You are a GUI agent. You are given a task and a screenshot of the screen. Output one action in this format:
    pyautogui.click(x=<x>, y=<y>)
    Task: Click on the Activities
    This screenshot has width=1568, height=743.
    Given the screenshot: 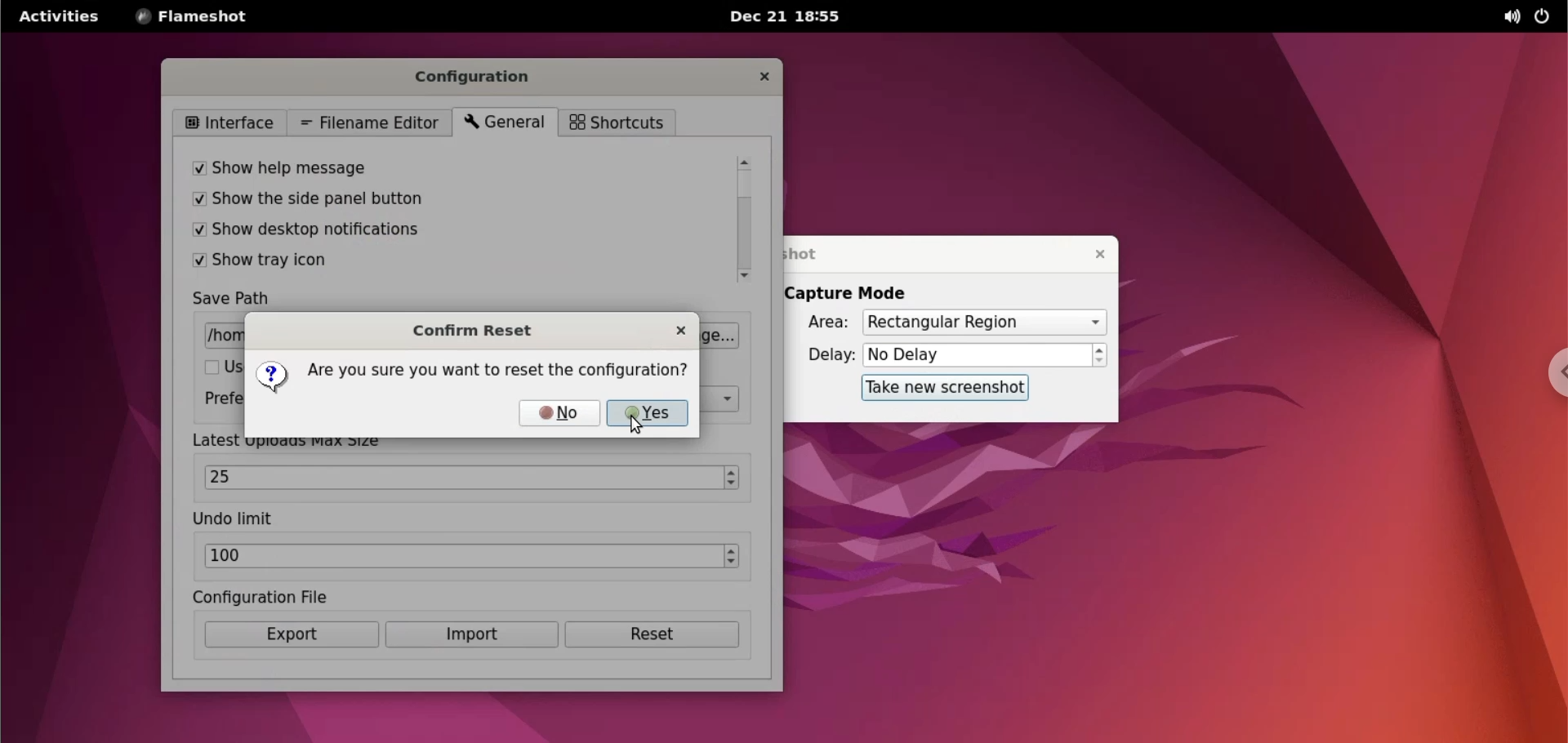 What is the action you would take?
    pyautogui.click(x=58, y=22)
    